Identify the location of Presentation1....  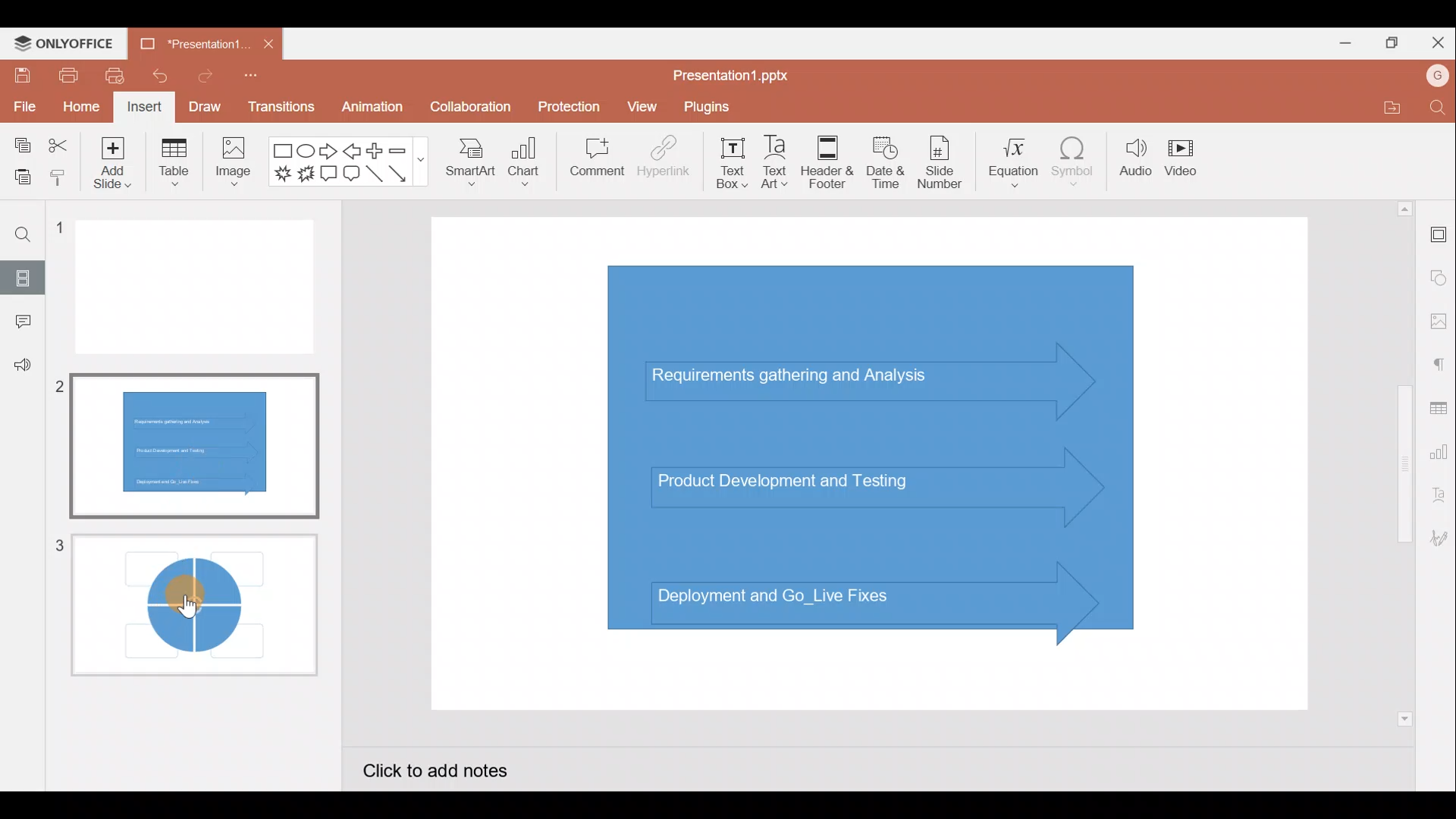
(187, 45).